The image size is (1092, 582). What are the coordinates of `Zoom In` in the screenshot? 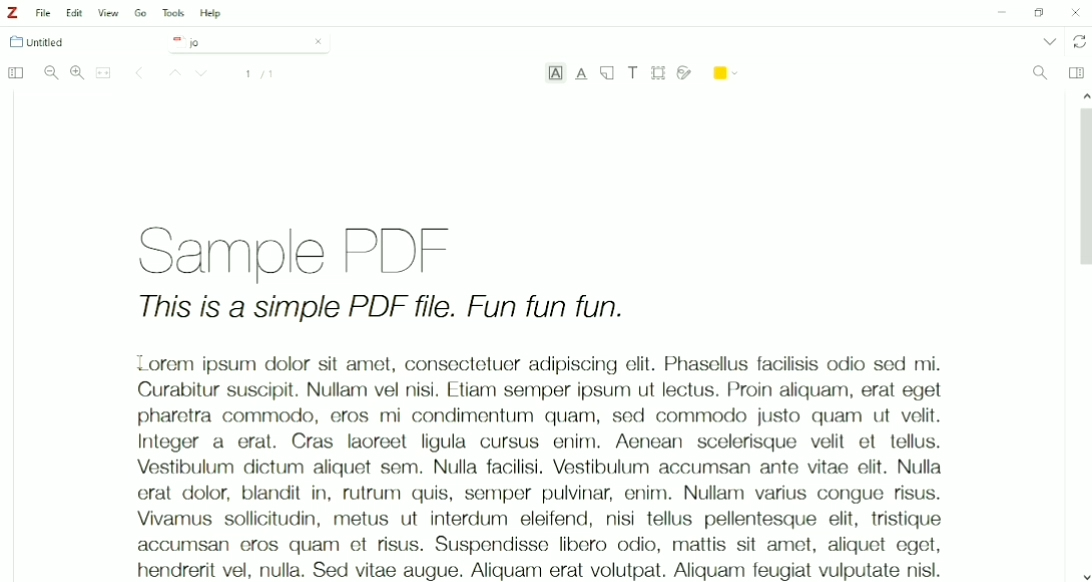 It's located at (77, 72).